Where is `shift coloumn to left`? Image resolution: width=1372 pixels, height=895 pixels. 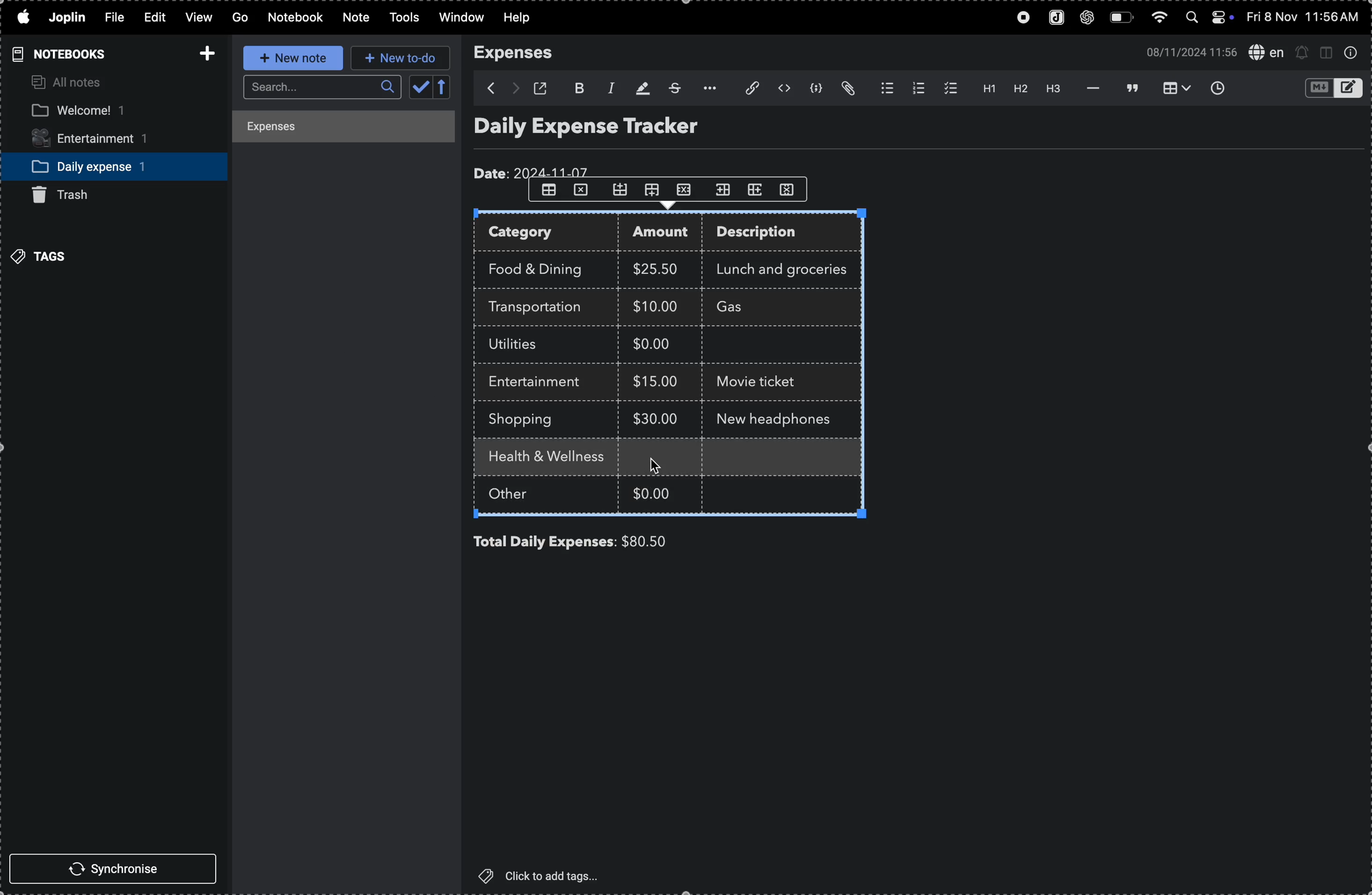
shift coloumn to left is located at coordinates (756, 189).